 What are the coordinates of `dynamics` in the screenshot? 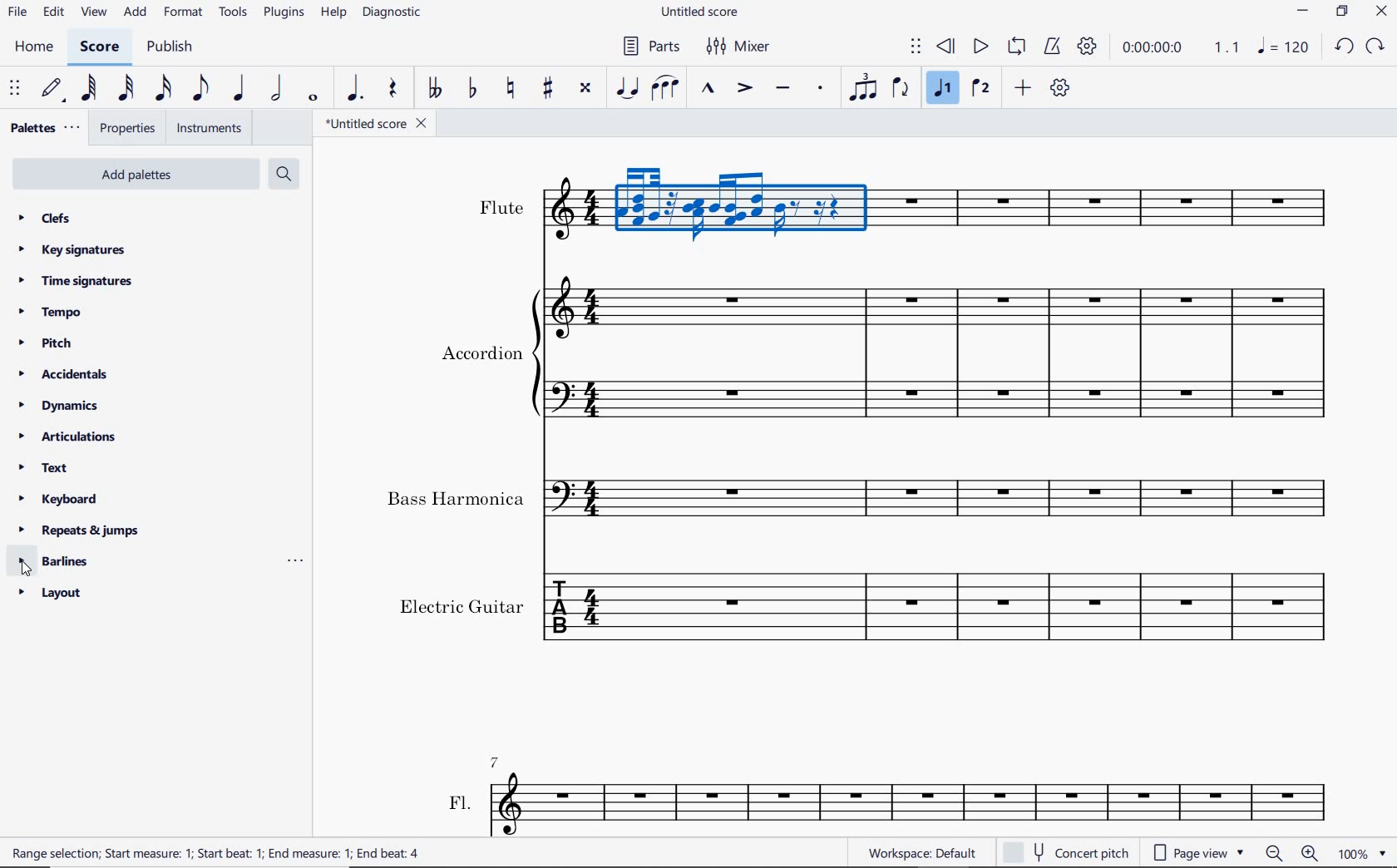 It's located at (58, 406).